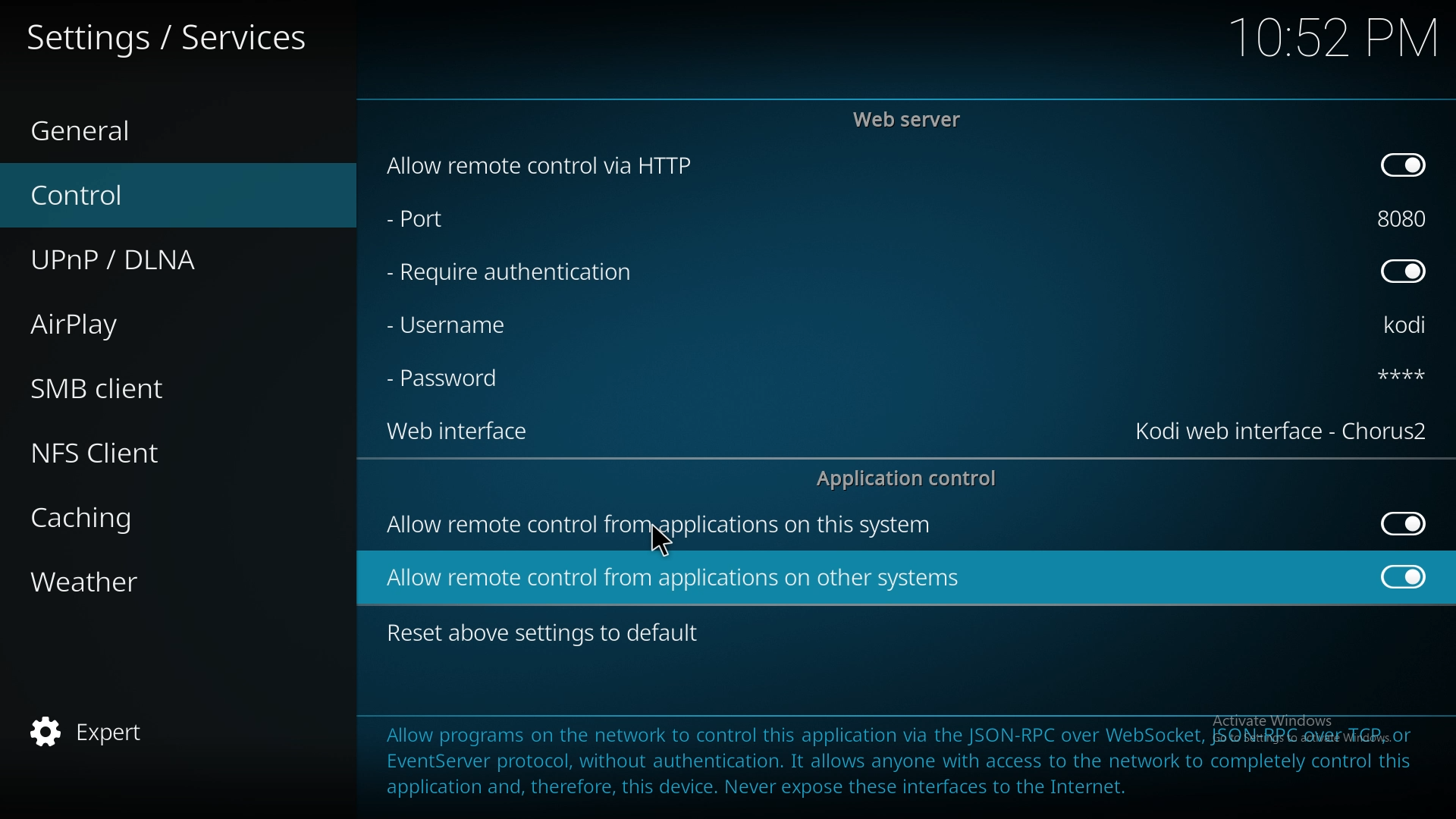 The image size is (1456, 819). What do you see at coordinates (162, 260) in the screenshot?
I see `upnp/dlna` at bounding box center [162, 260].